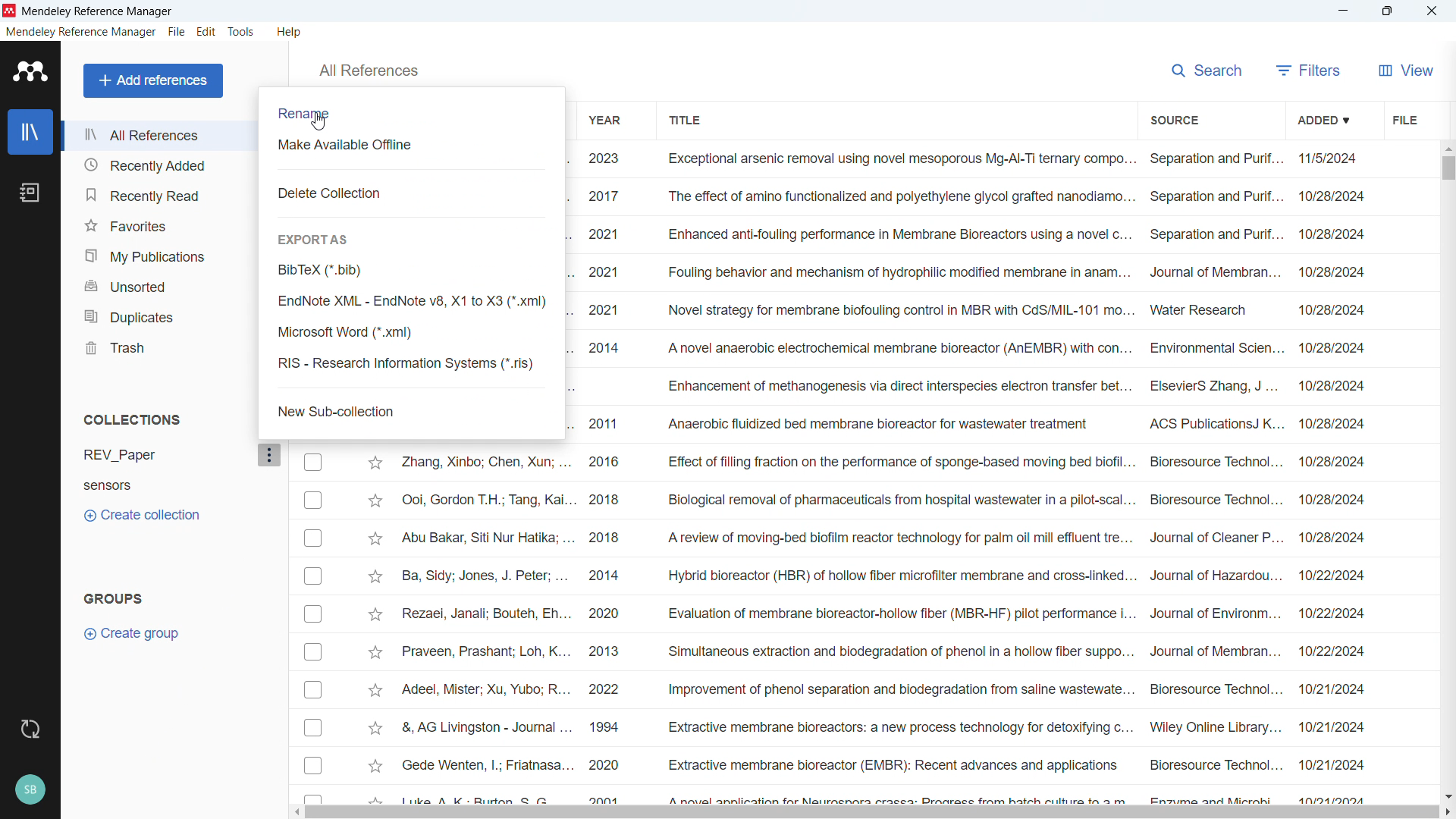 This screenshot has width=1456, height=819. I want to click on Zhang, Xinbo; Chen, Xun; ... 2016 Effect of filling fraction on the performance of sponge-based moving bed biofil... Bioresource Technol... 10/28/2024, so click(883, 461).